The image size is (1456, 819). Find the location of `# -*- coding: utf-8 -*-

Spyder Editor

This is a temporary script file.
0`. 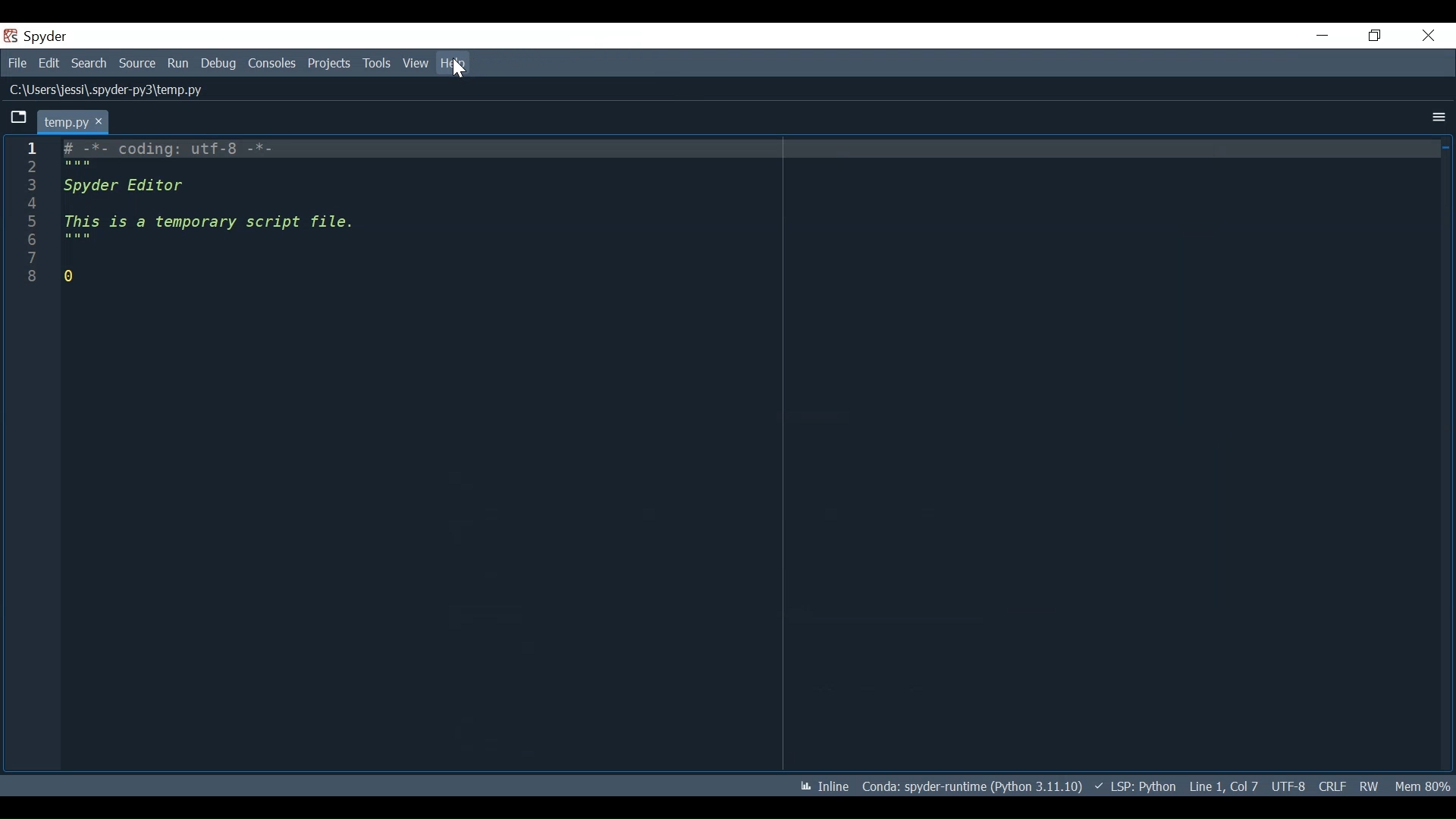

# -*- coding: utf-8 -*-

Spyder Editor

This is a temporary script file.
0 is located at coordinates (277, 231).